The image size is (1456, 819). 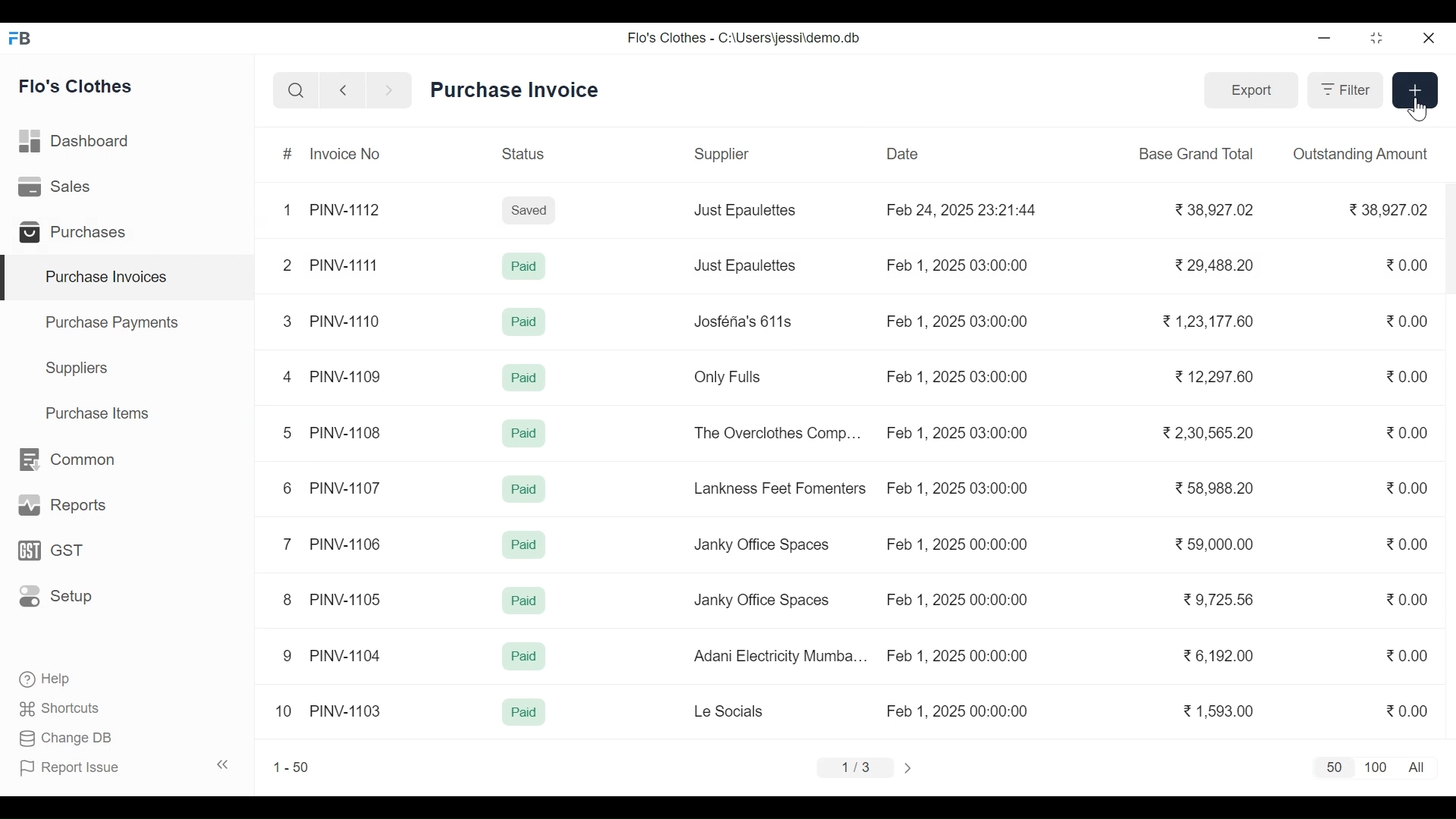 I want to click on 100, so click(x=1376, y=767).